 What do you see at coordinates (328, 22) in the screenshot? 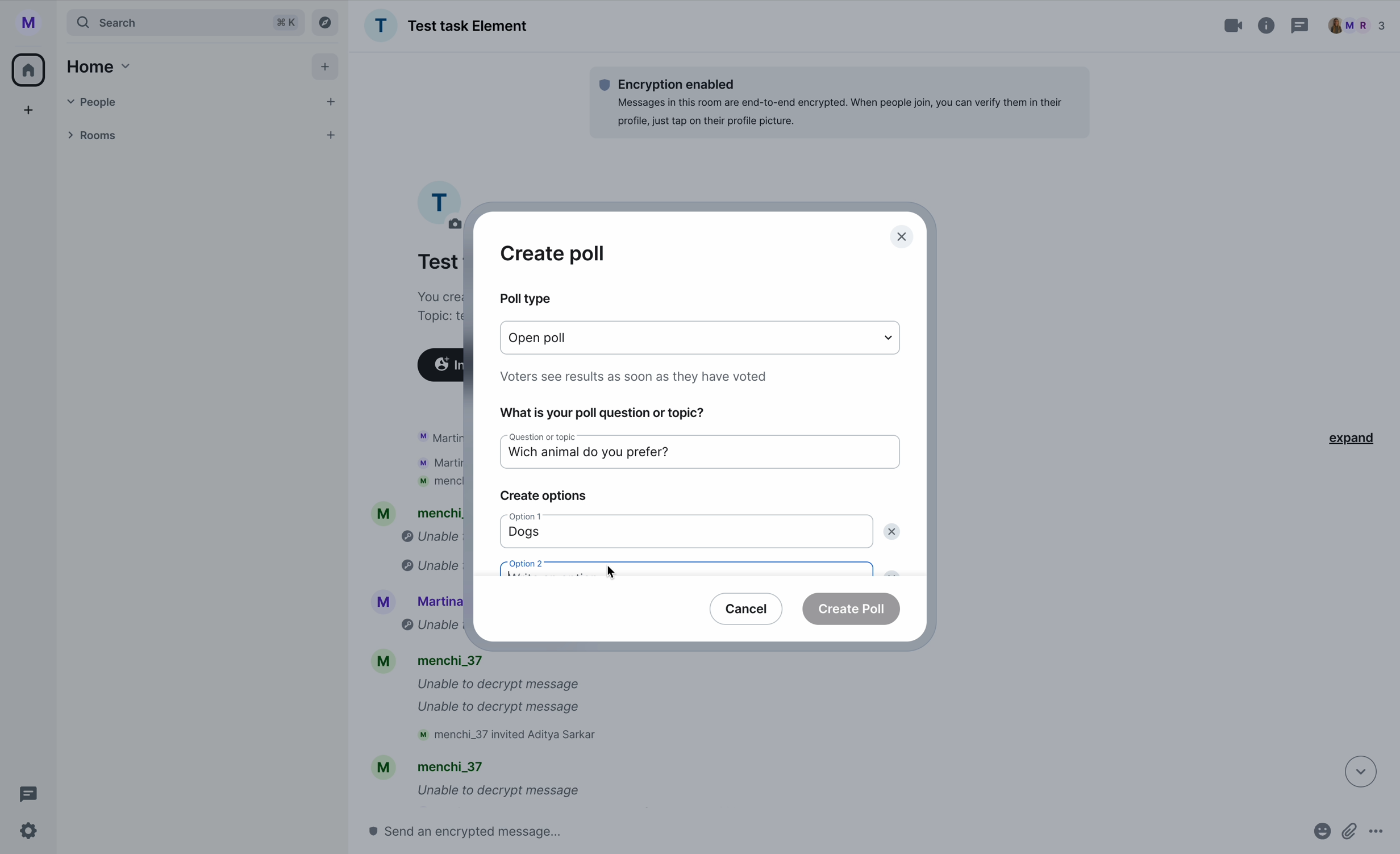
I see `explore` at bounding box center [328, 22].